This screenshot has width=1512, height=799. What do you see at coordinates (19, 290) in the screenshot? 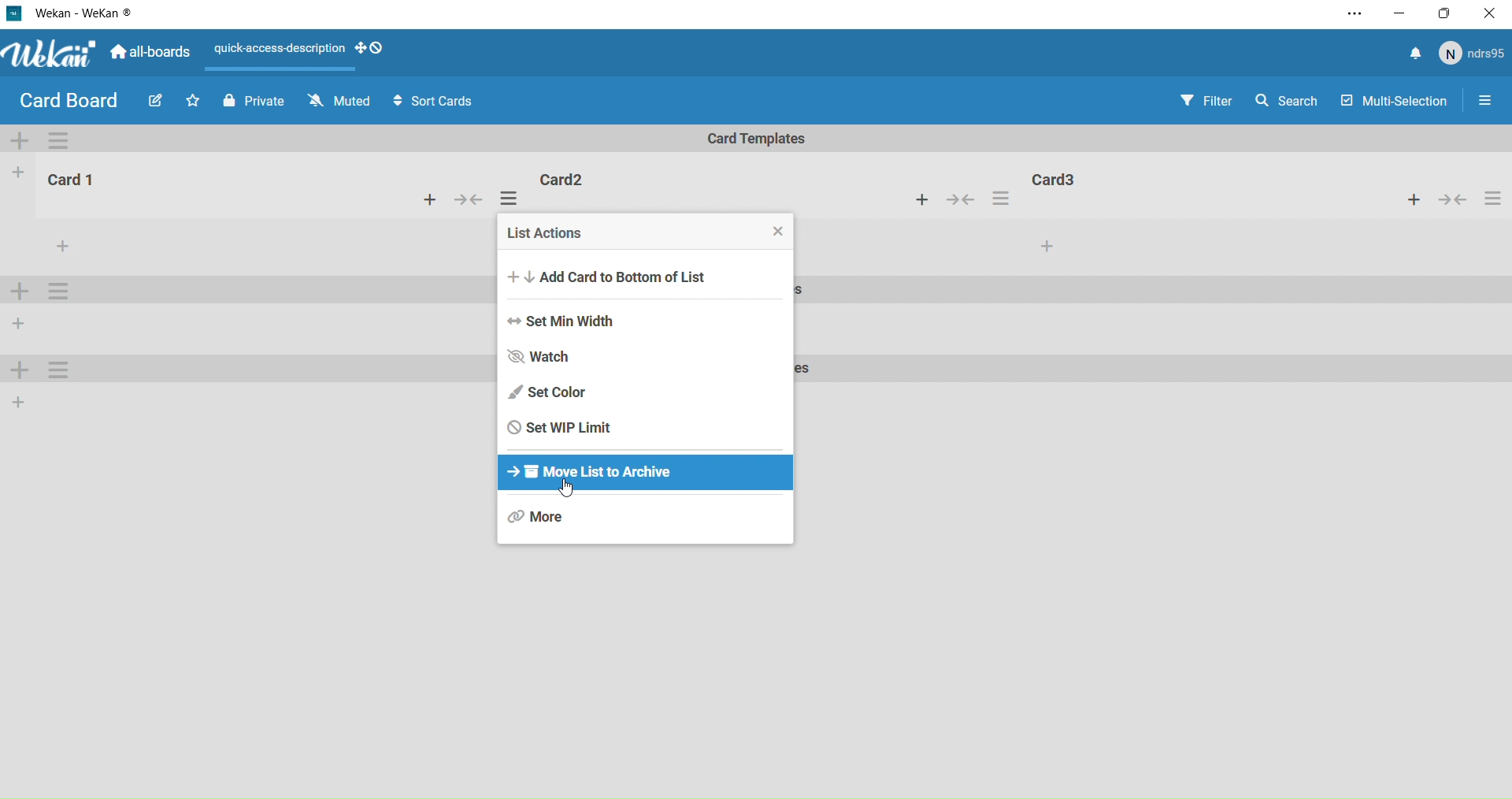
I see `add` at bounding box center [19, 290].